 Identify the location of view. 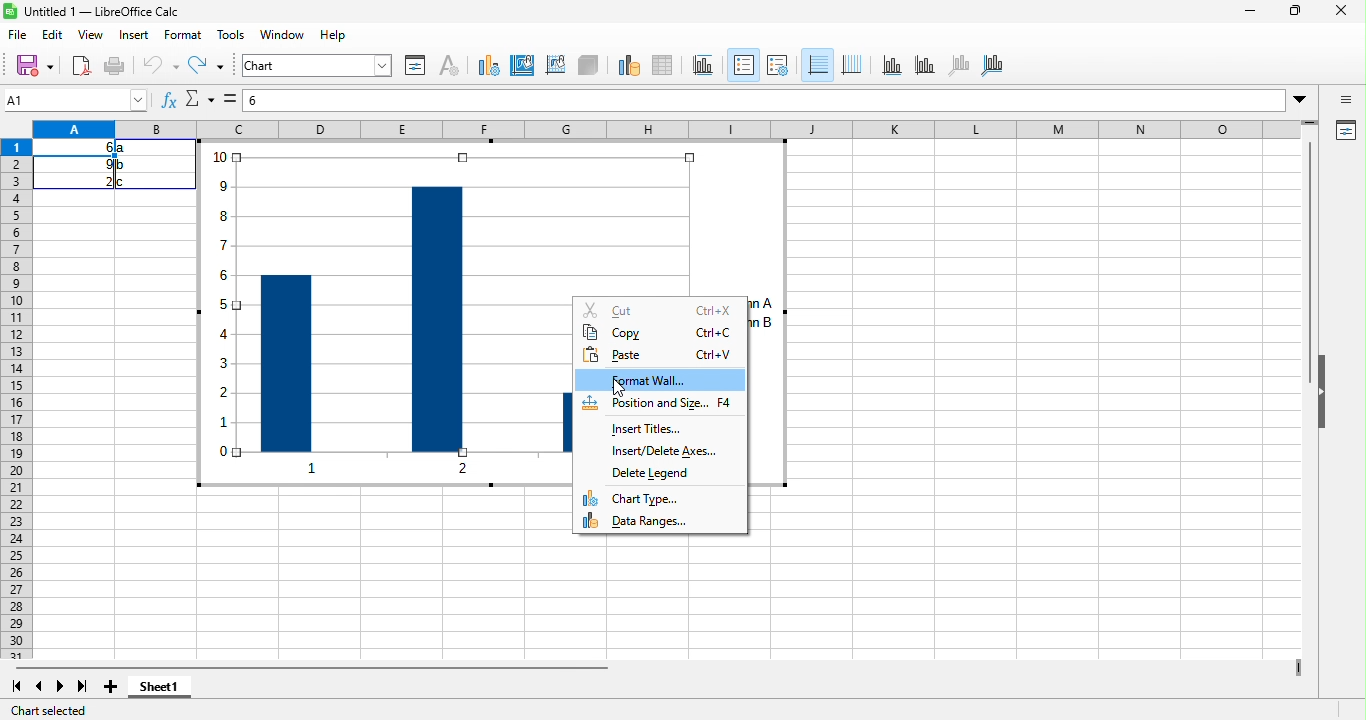
(91, 35).